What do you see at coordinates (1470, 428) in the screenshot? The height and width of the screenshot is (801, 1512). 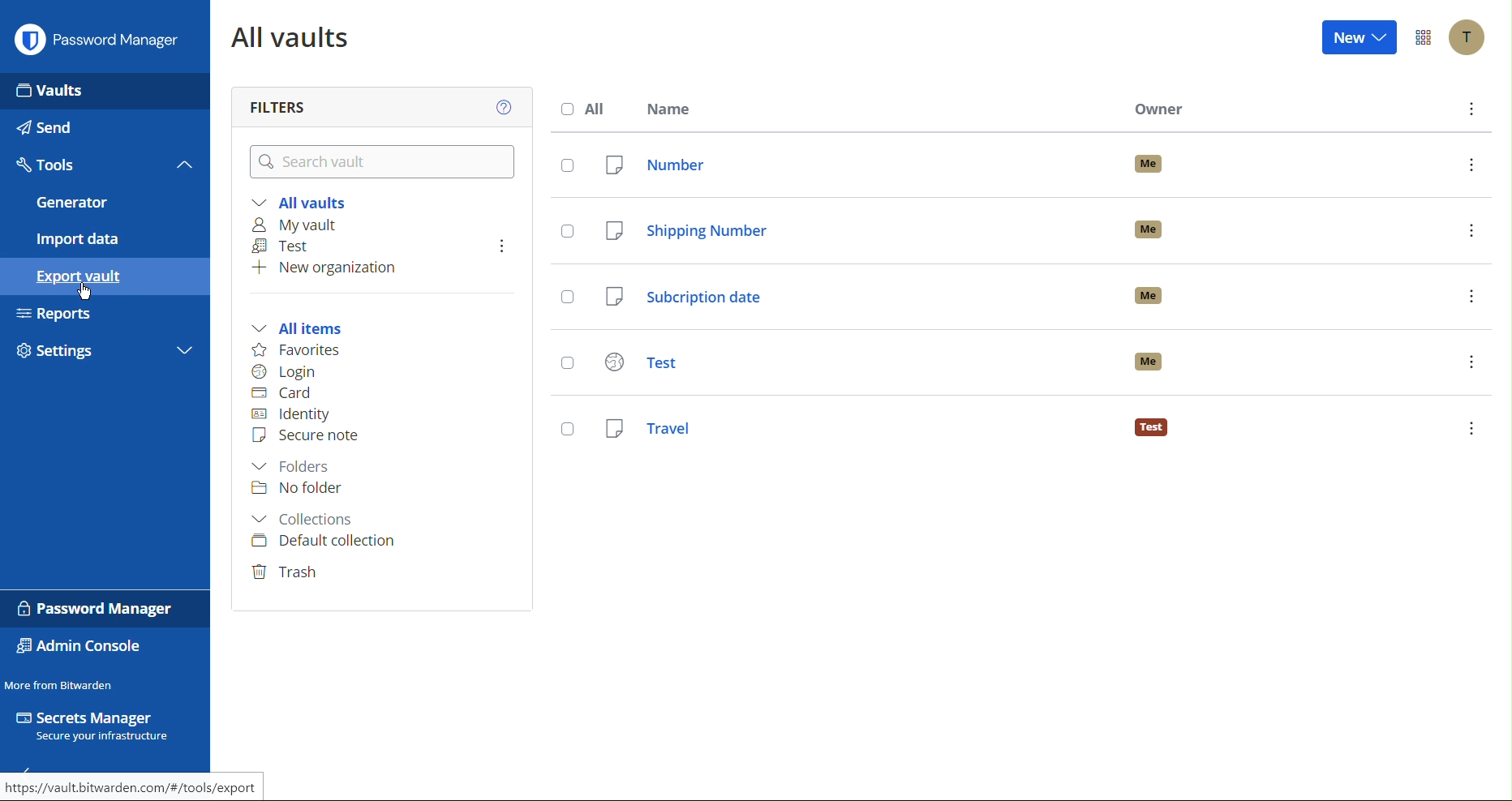 I see `options` at bounding box center [1470, 428].